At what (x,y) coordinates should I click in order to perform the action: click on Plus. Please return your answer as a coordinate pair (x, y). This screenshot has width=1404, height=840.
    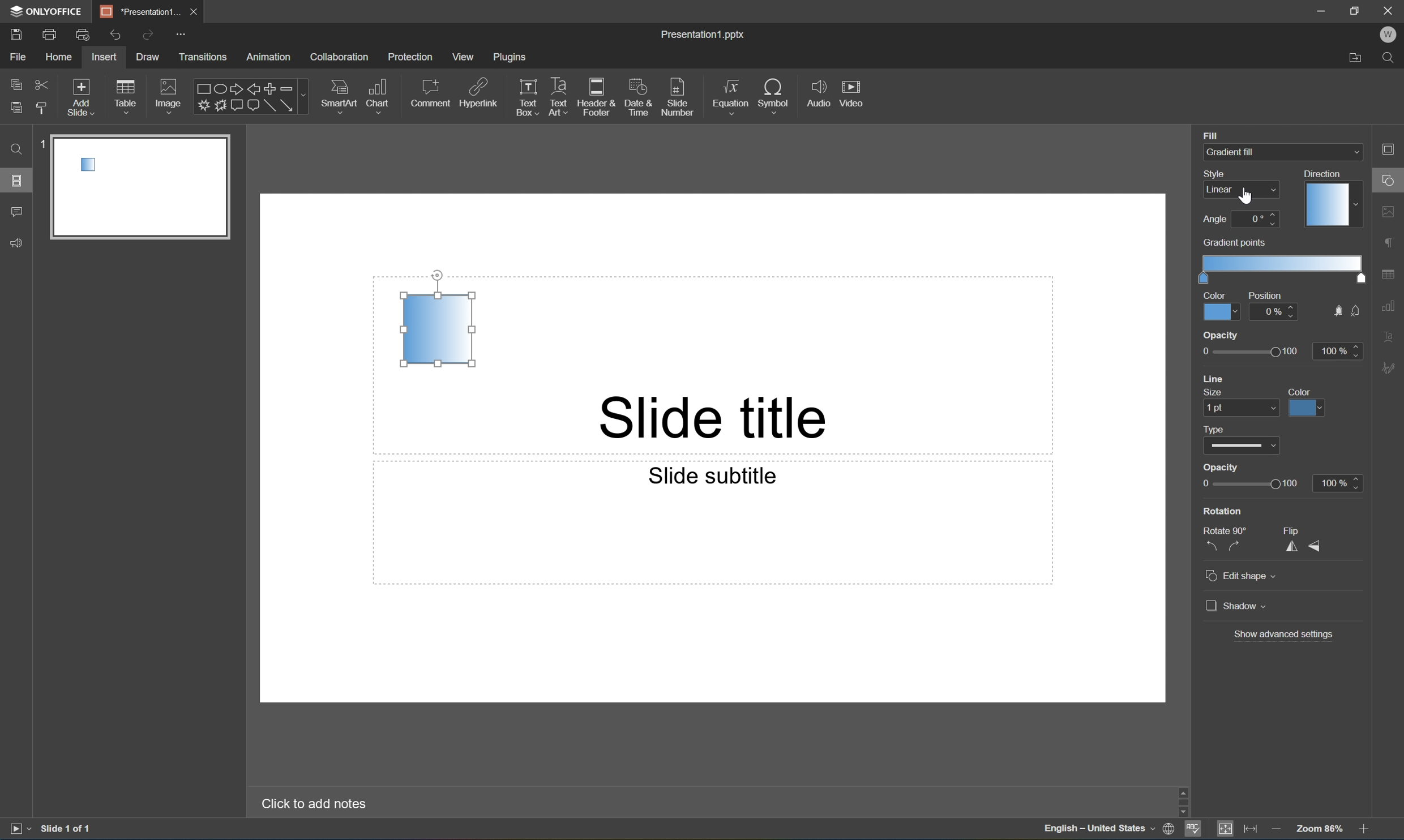
    Looking at the image, I should click on (271, 88).